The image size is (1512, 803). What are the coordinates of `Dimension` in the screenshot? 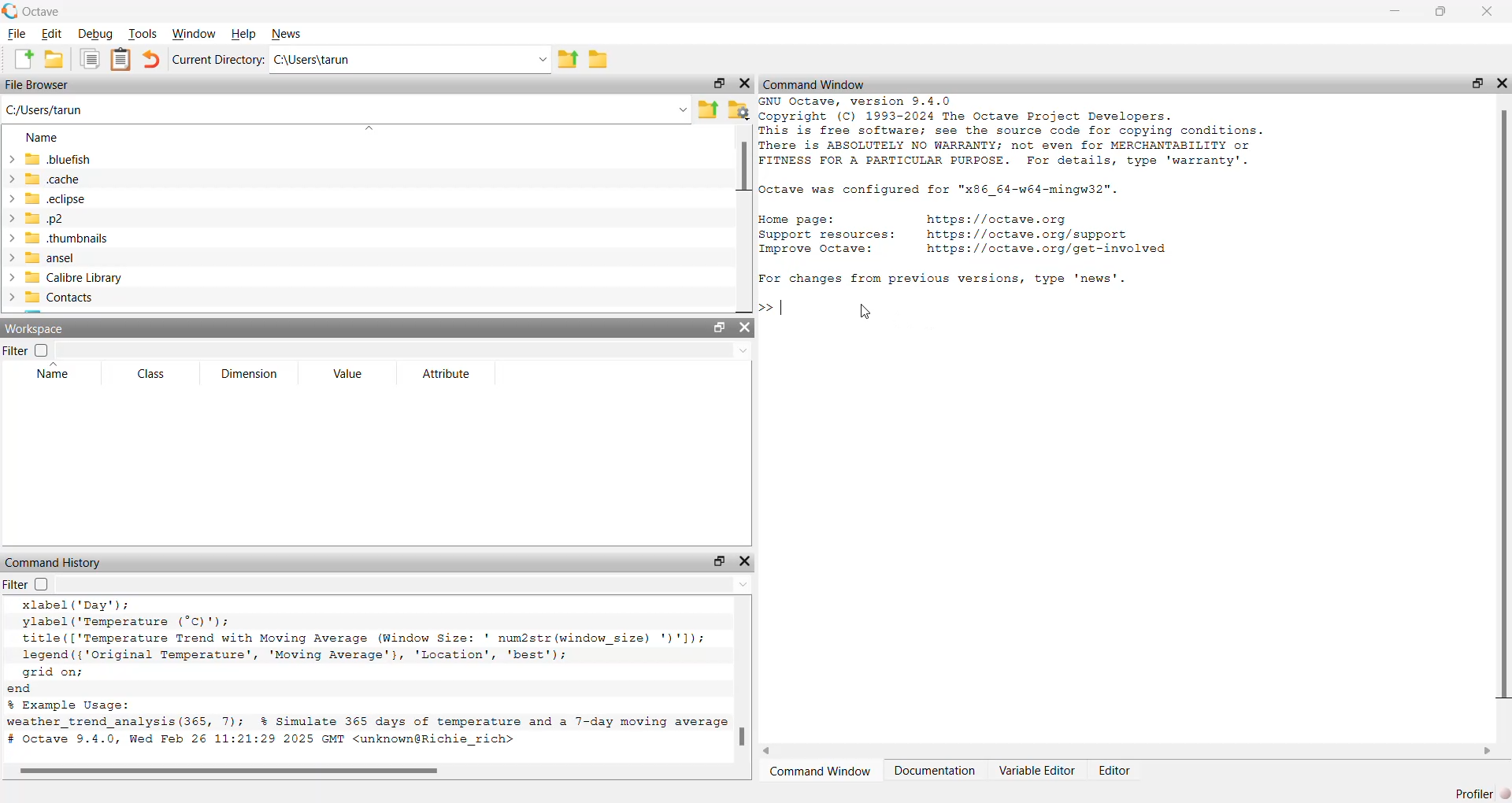 It's located at (250, 375).